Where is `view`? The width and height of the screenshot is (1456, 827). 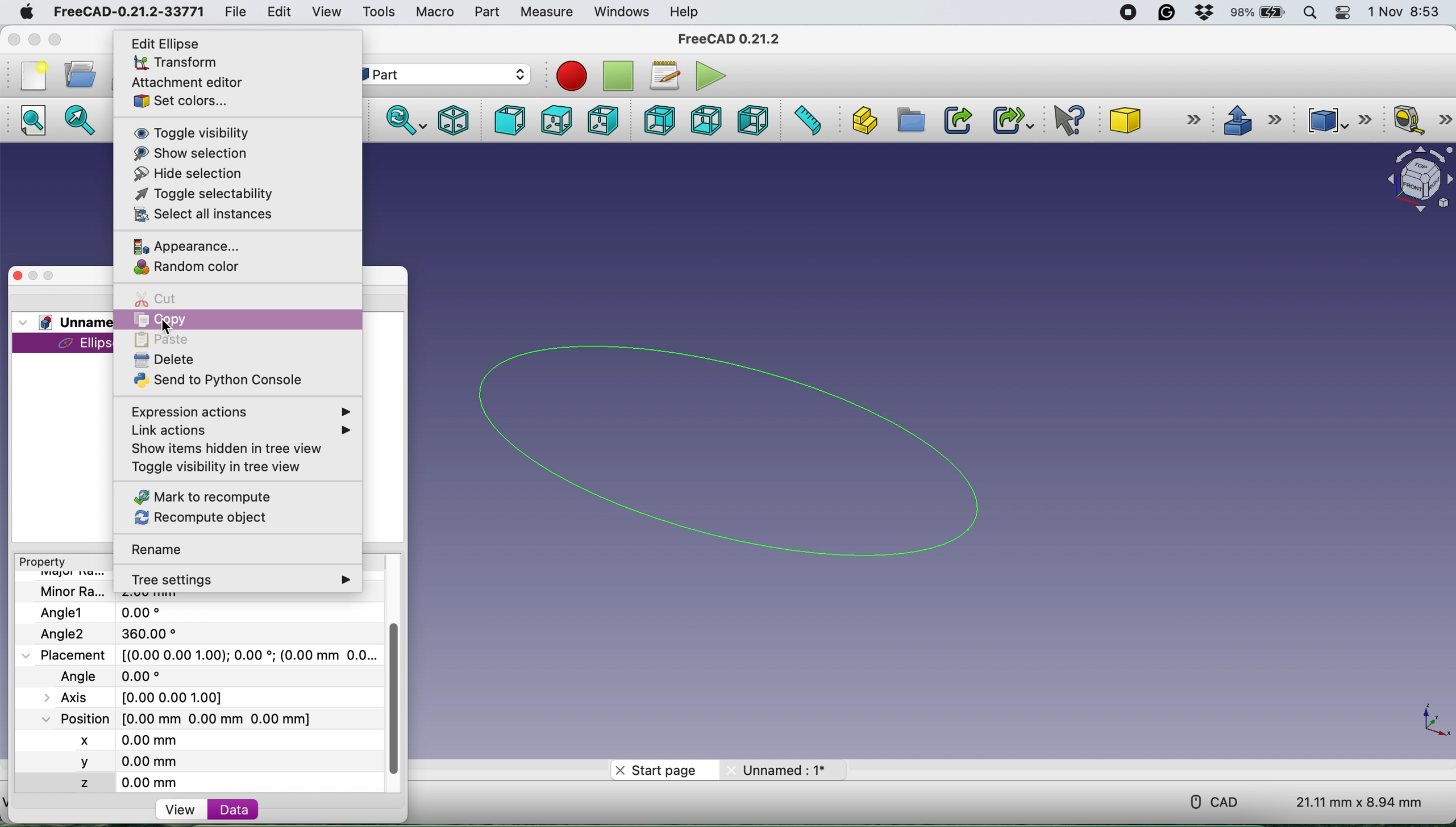
view is located at coordinates (325, 11).